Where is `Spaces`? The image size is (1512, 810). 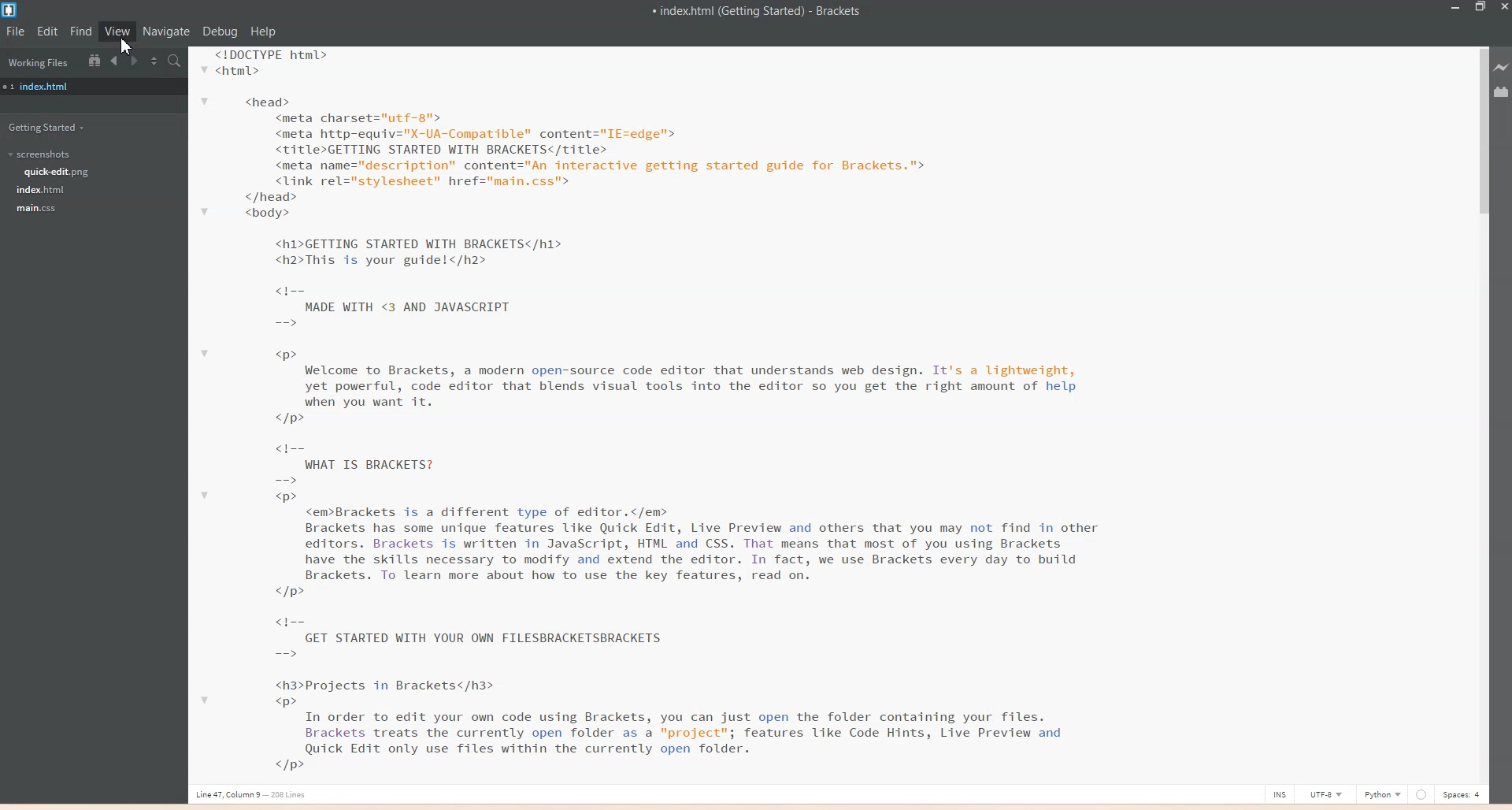
Spaces is located at coordinates (1462, 794).